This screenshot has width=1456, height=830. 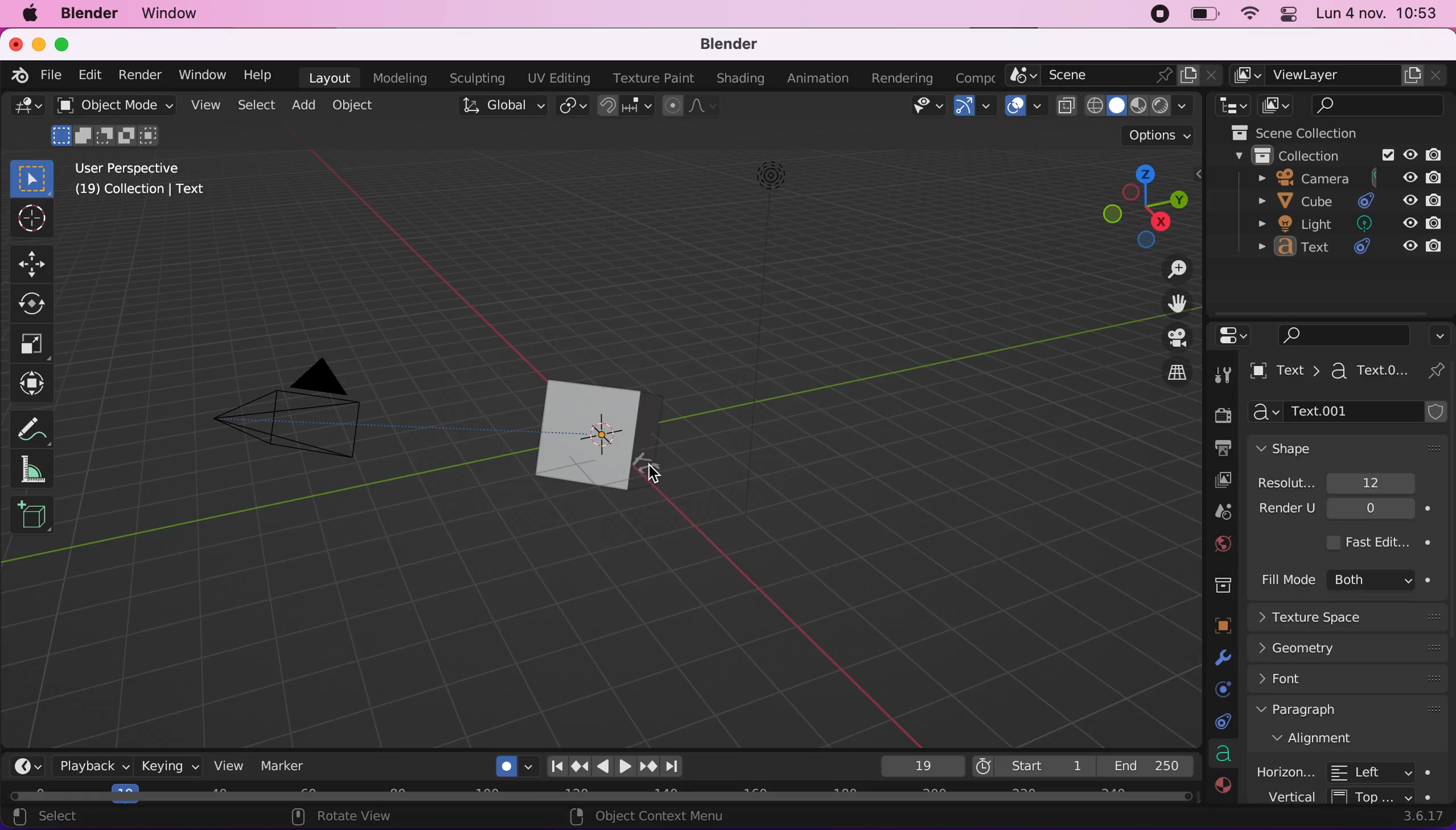 I want to click on playback, so click(x=95, y=768).